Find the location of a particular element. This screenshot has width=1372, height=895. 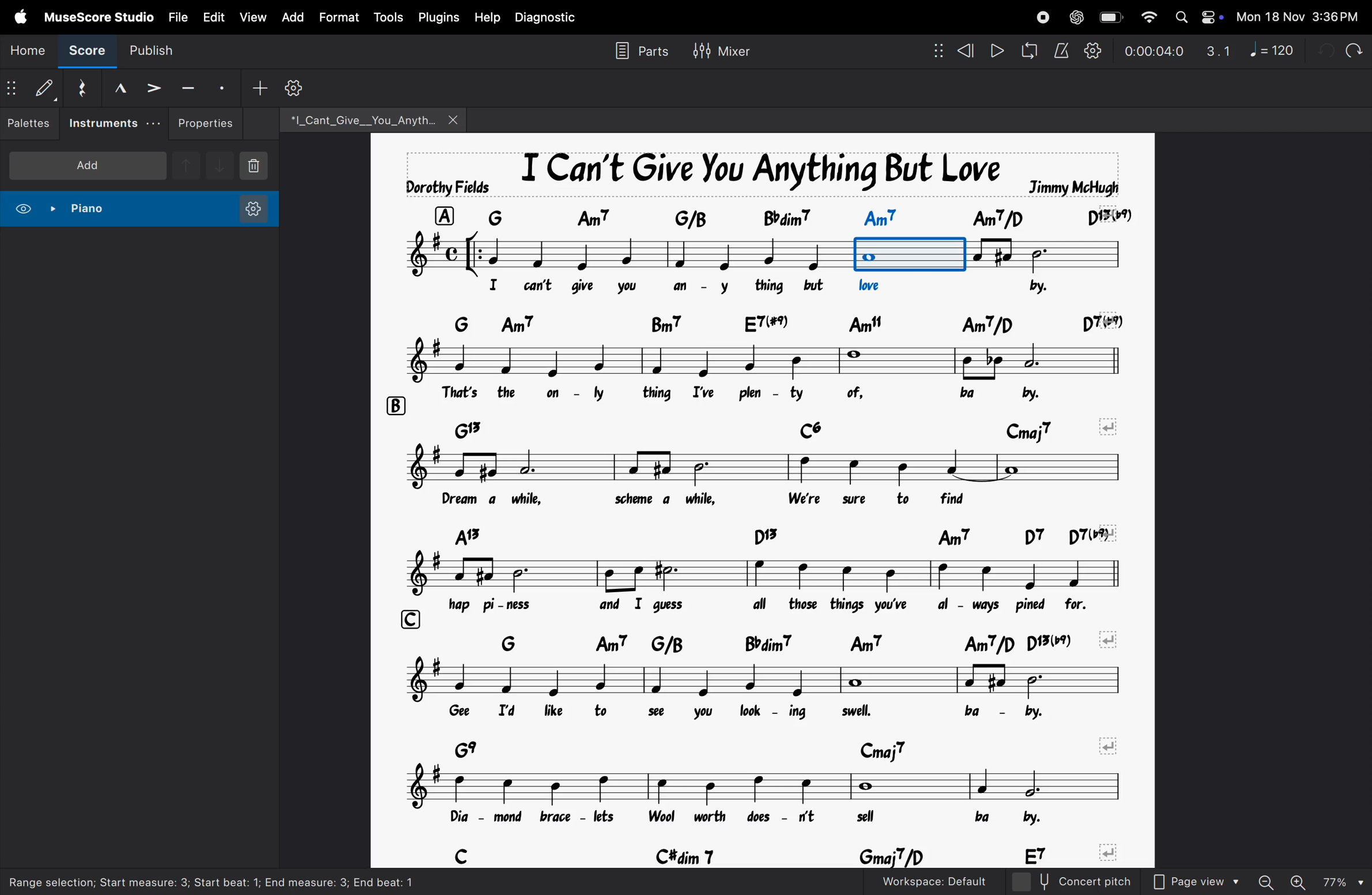

parts is located at coordinates (639, 51).